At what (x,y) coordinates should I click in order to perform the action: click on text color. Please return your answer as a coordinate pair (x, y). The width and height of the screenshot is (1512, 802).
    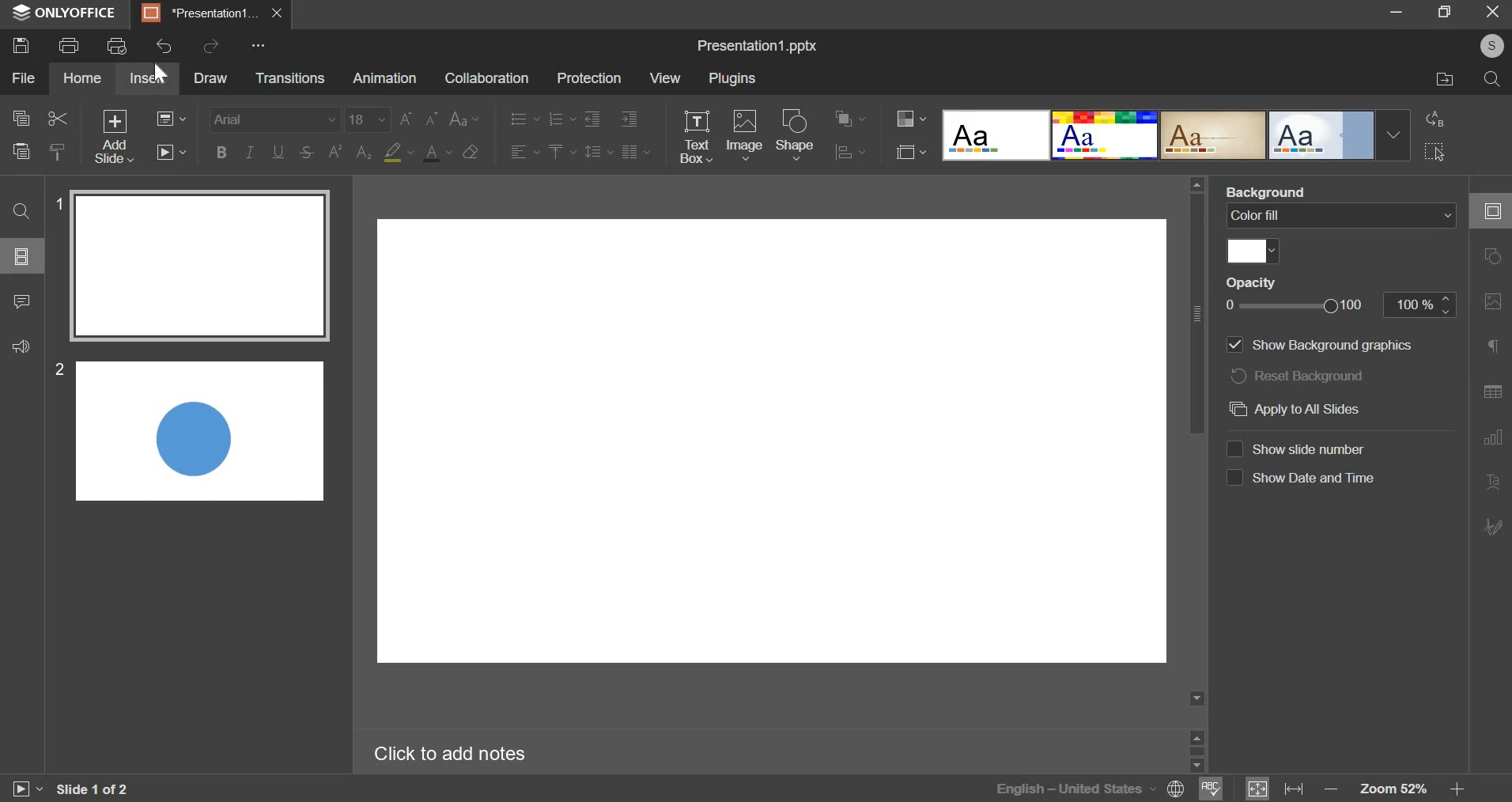
    Looking at the image, I should click on (436, 153).